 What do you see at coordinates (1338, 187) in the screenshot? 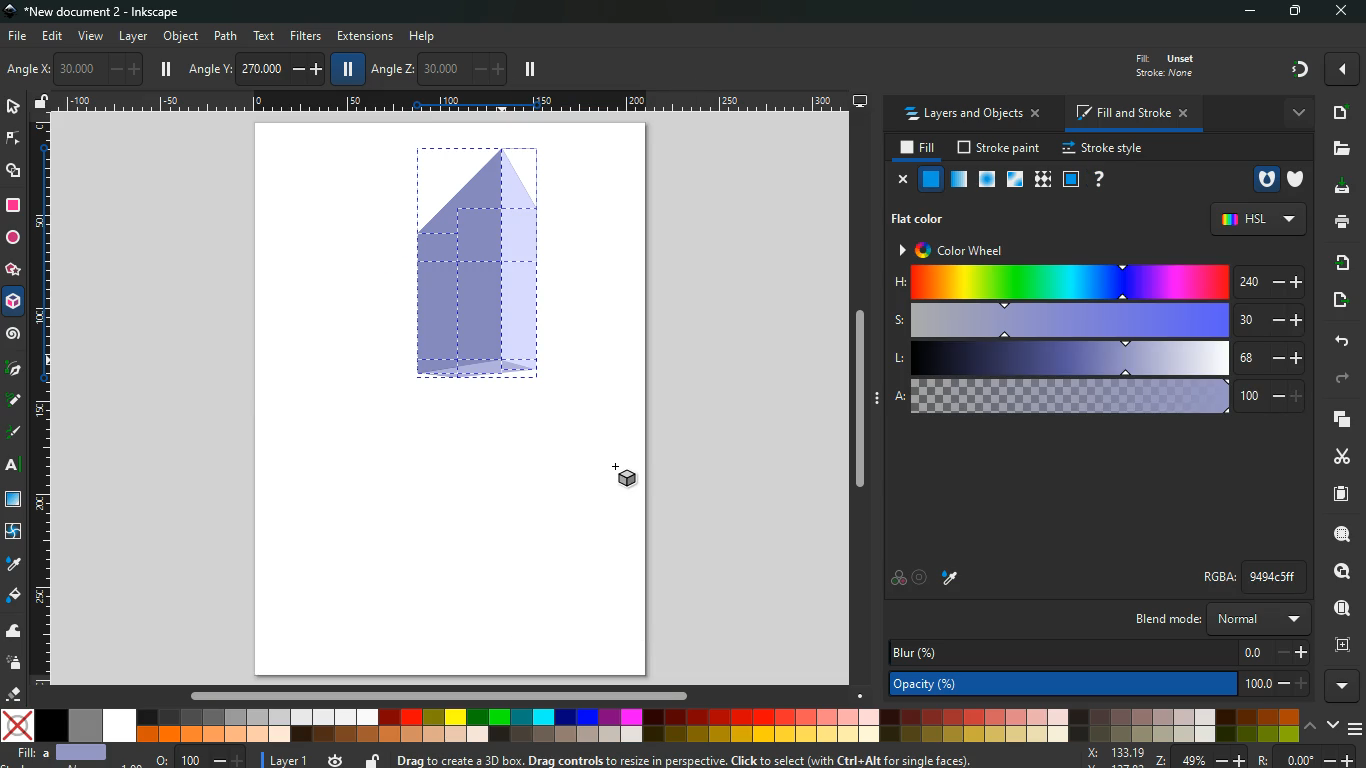
I see `download` at bounding box center [1338, 187].